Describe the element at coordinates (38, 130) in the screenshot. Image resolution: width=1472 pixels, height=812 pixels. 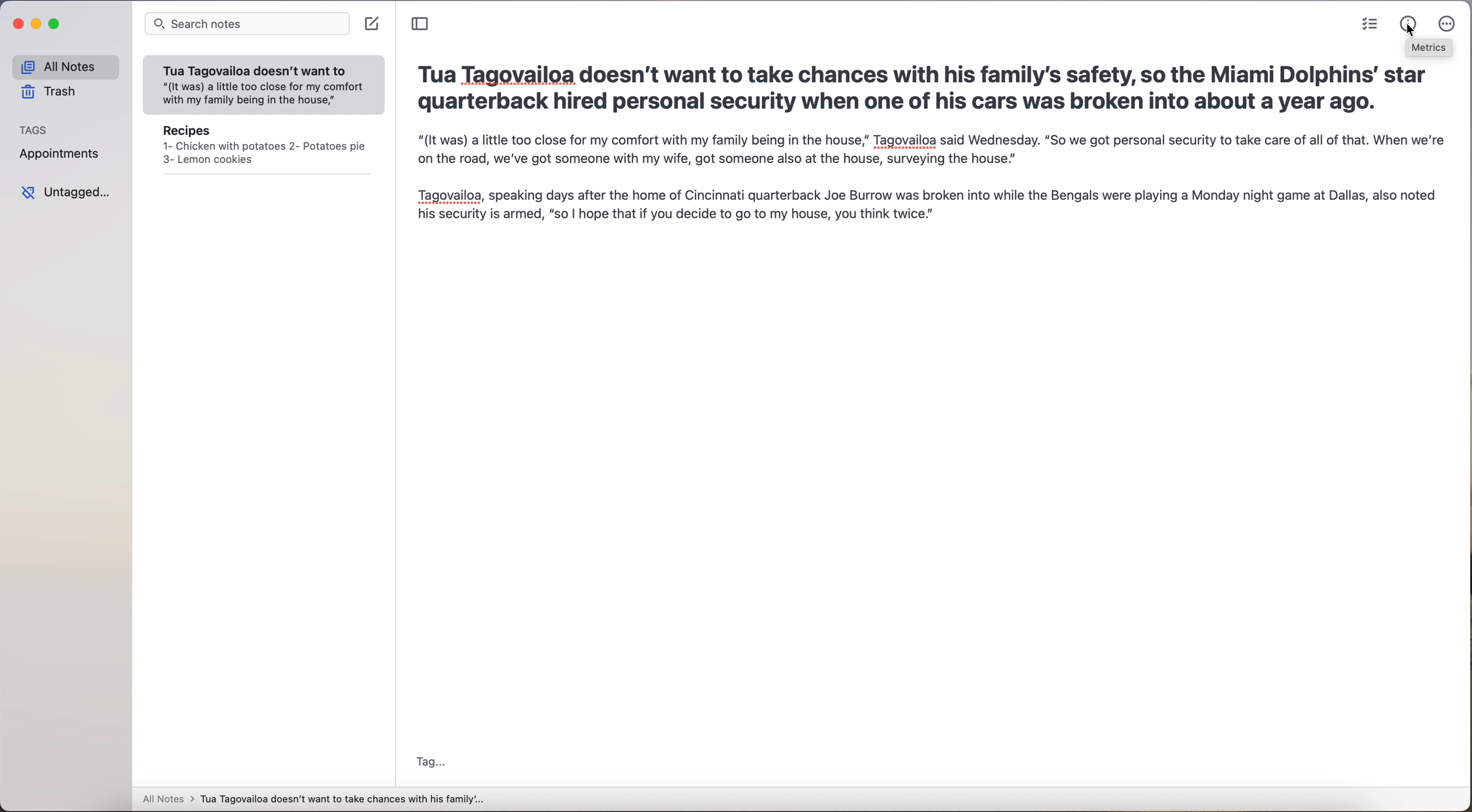
I see `tags` at that location.